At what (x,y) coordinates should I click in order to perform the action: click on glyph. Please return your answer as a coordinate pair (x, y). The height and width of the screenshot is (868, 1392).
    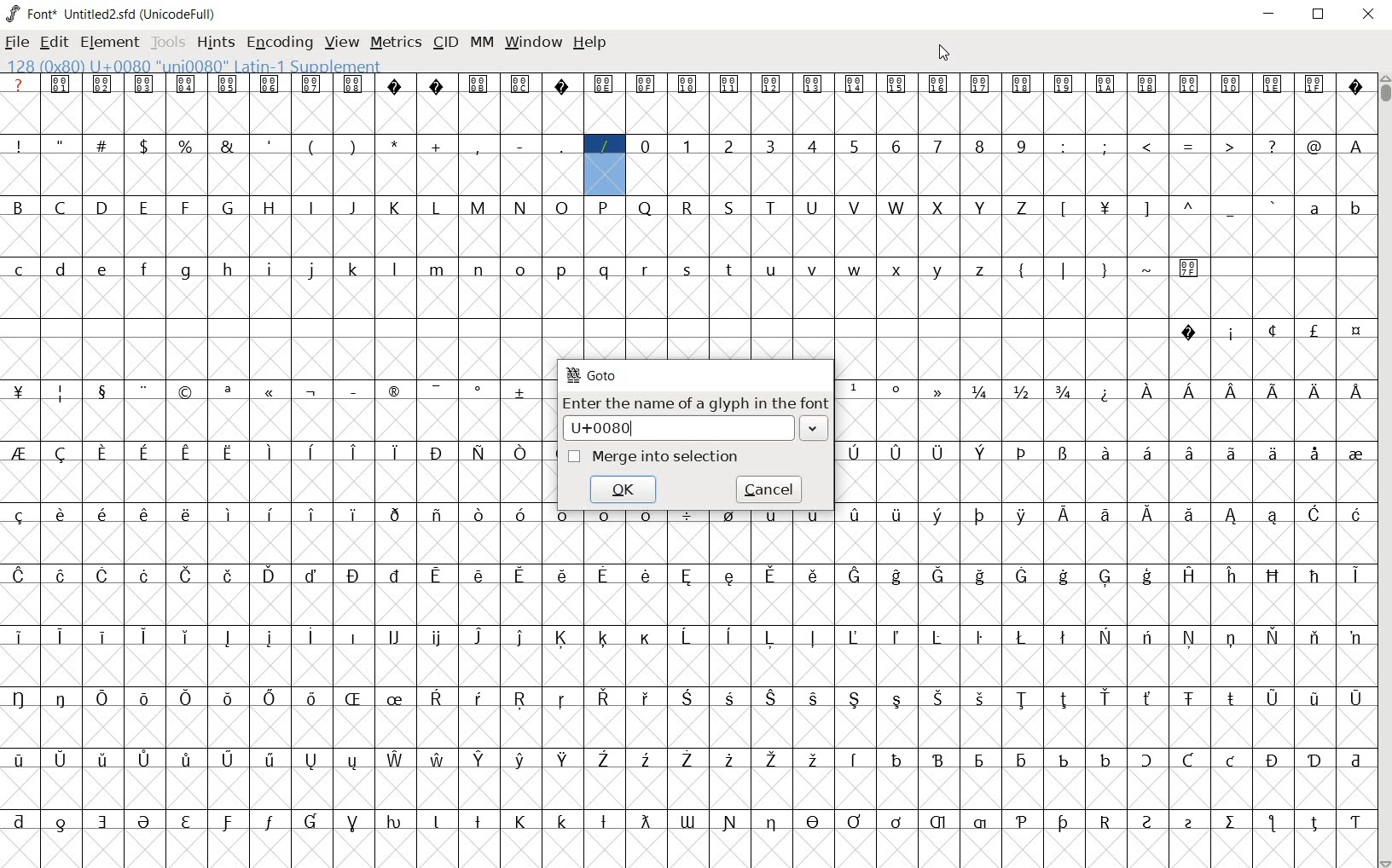
    Looking at the image, I should click on (1189, 269).